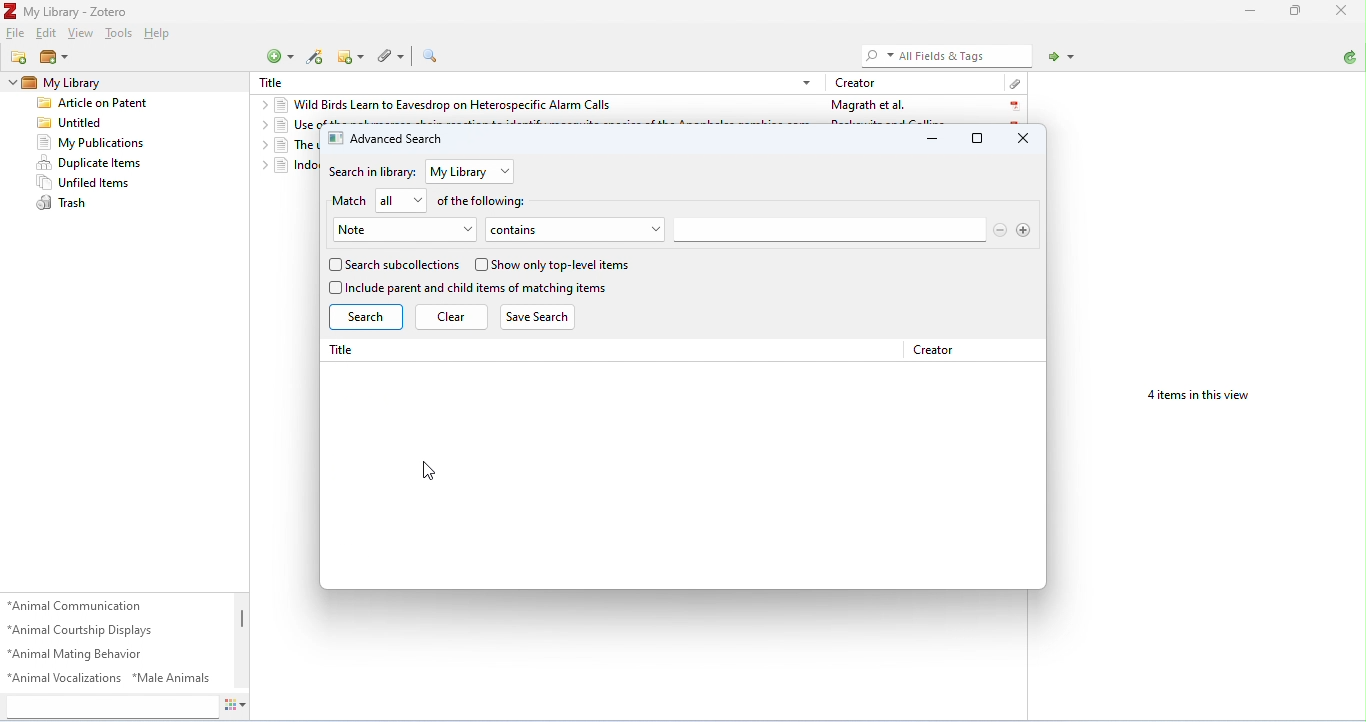 Image resolution: width=1366 pixels, height=722 pixels. Describe the element at coordinates (83, 631) in the screenshot. I see `animal courtship displays` at that location.